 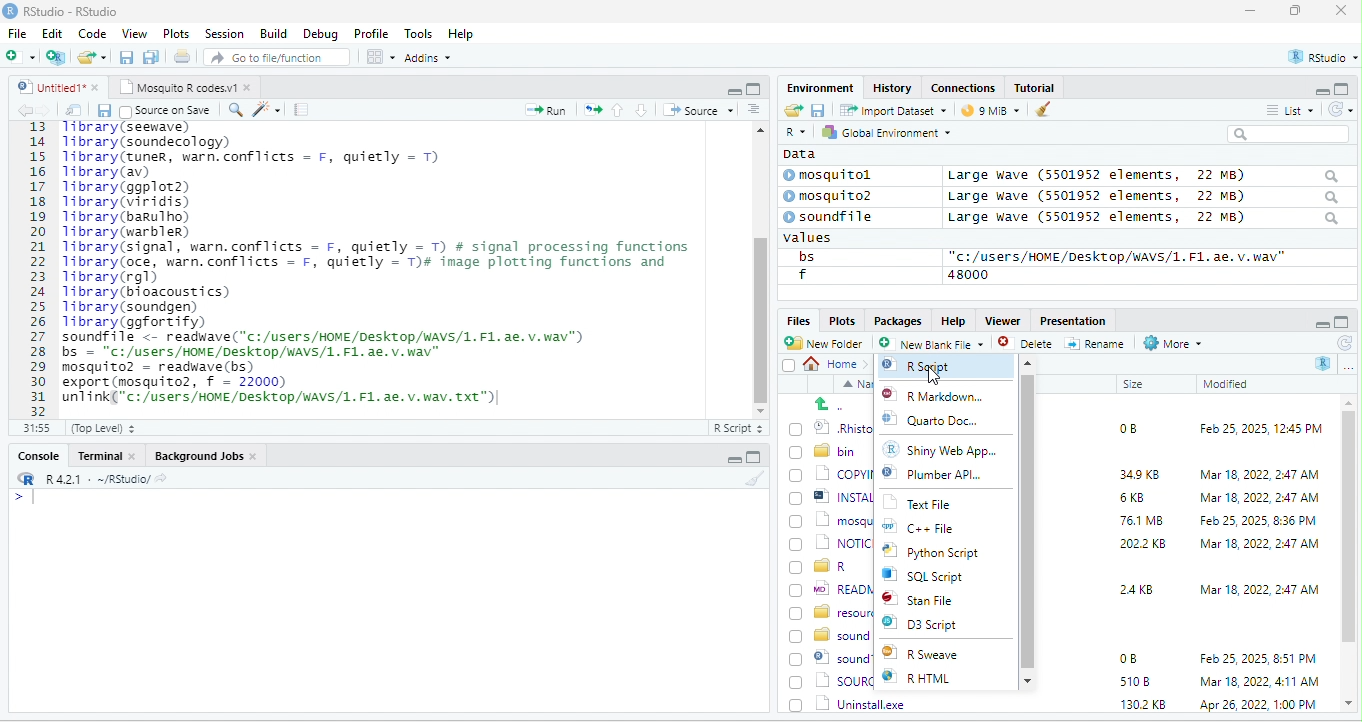 I want to click on cursor, so click(x=932, y=373).